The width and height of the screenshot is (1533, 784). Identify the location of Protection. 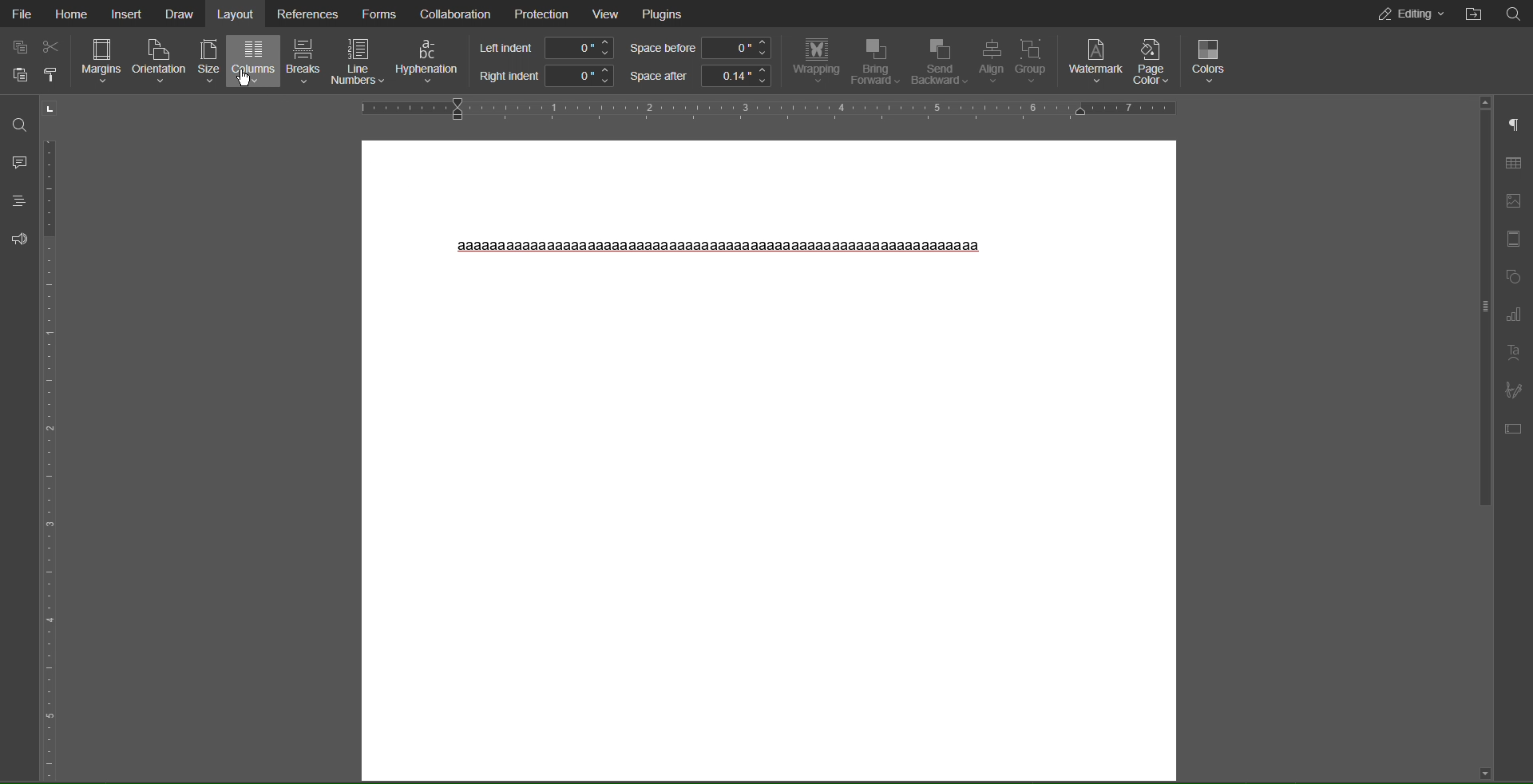
(541, 14).